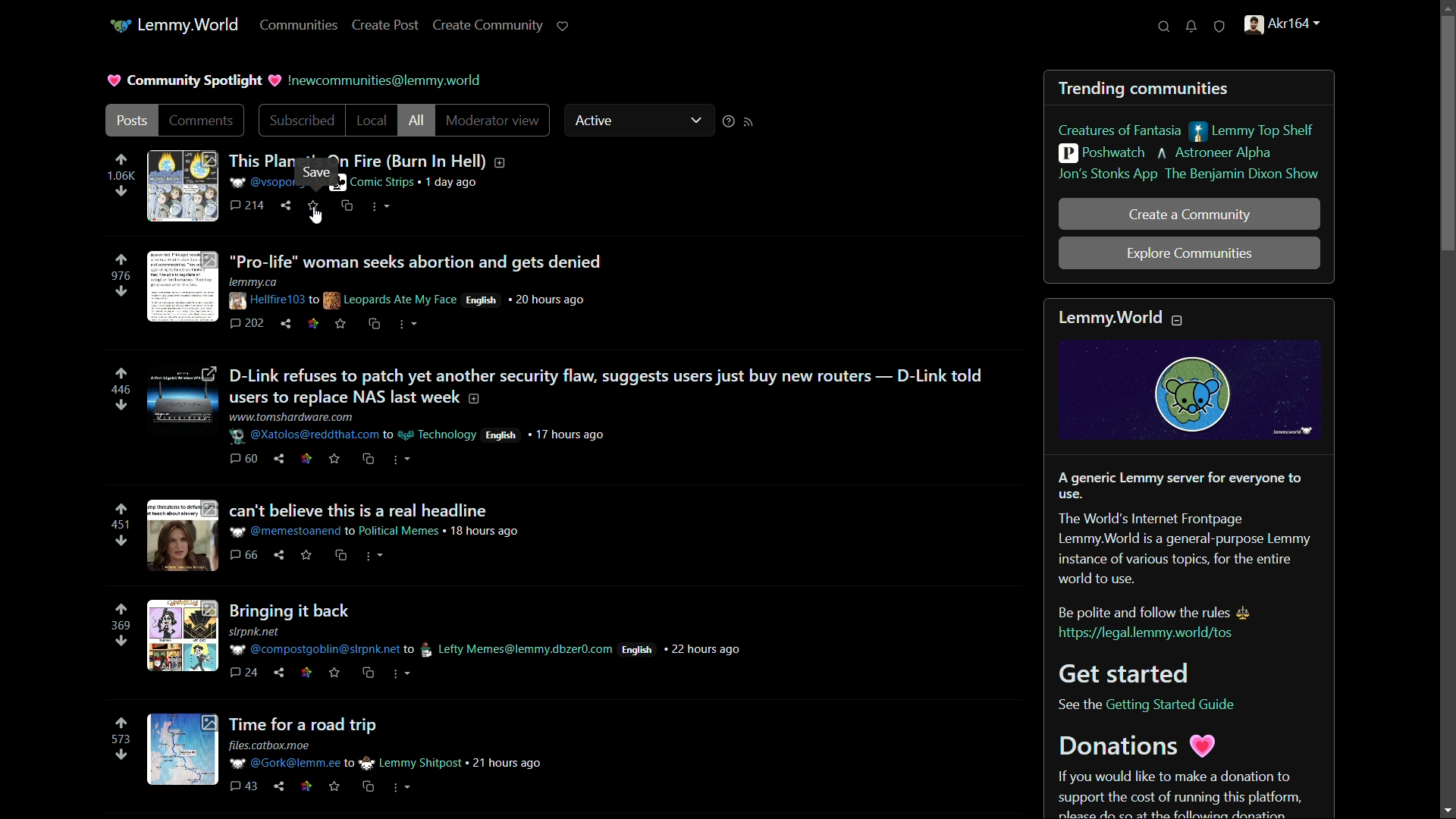 The width and height of the screenshot is (1456, 819). What do you see at coordinates (494, 120) in the screenshot?
I see `moderator view` at bounding box center [494, 120].